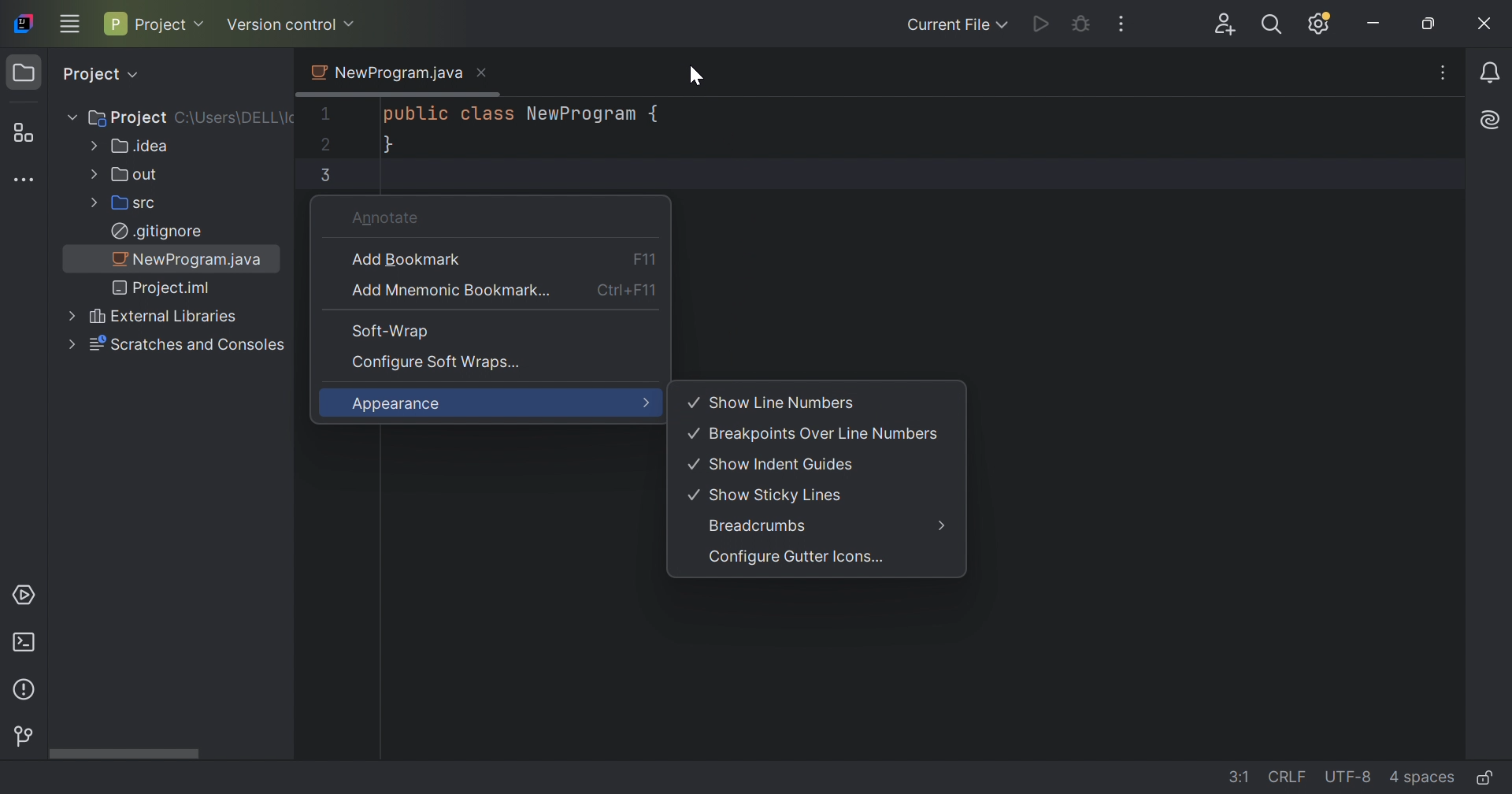 Image resolution: width=1512 pixels, height=794 pixels. Describe the element at coordinates (1443, 74) in the screenshot. I see `` at that location.